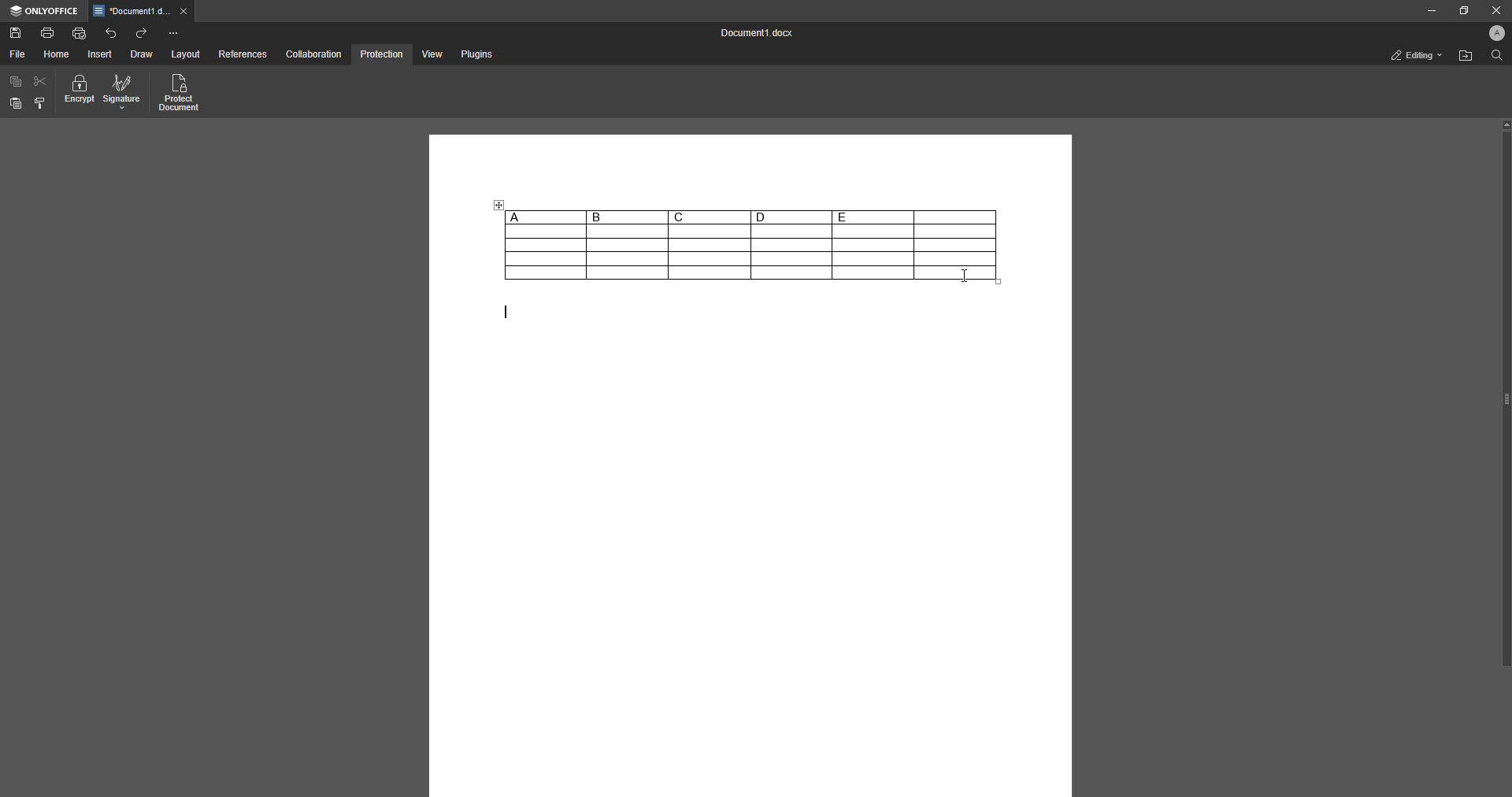  What do you see at coordinates (187, 55) in the screenshot?
I see `layout` at bounding box center [187, 55].